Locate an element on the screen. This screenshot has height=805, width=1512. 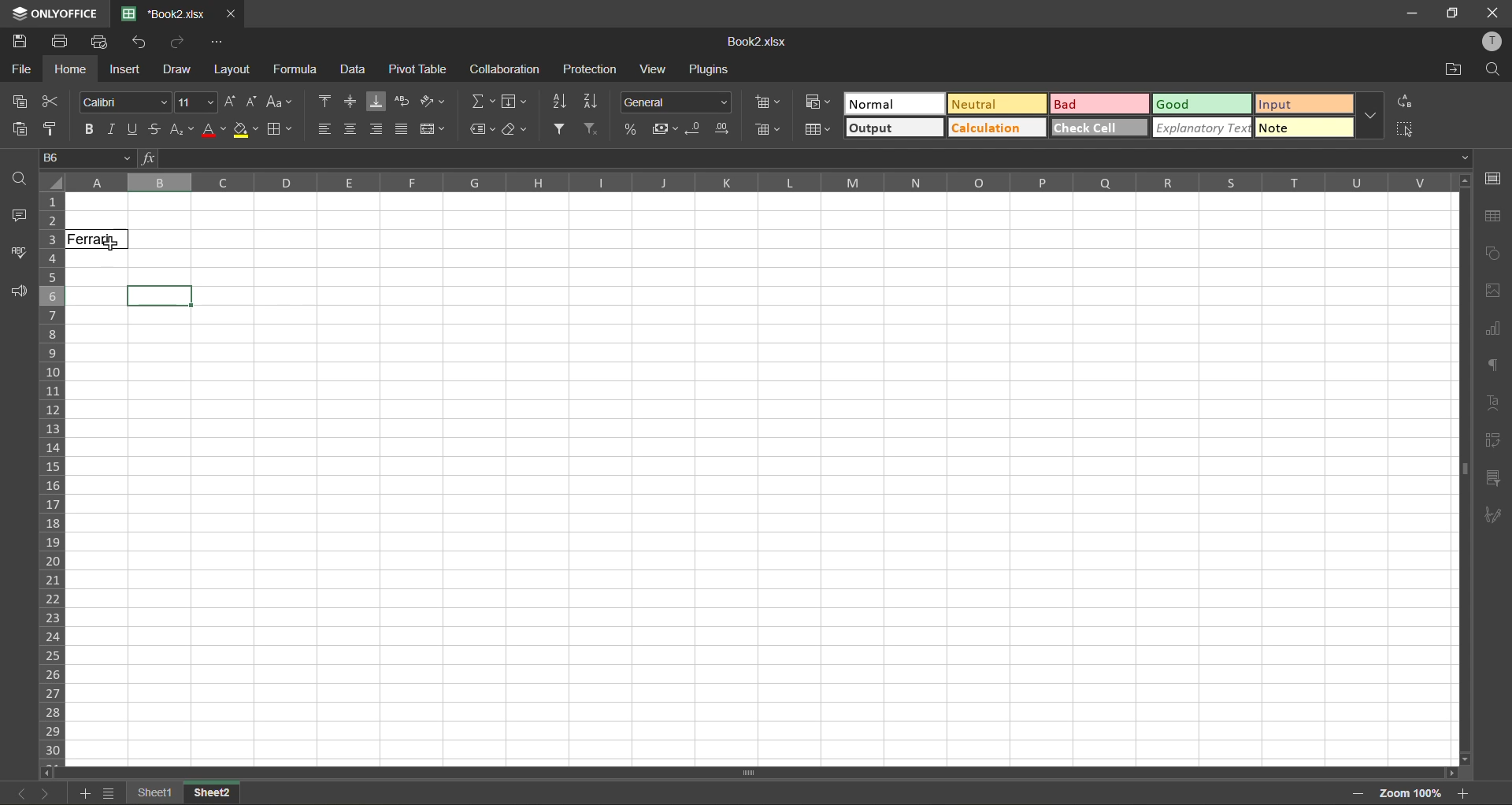
align right is located at coordinates (375, 129).